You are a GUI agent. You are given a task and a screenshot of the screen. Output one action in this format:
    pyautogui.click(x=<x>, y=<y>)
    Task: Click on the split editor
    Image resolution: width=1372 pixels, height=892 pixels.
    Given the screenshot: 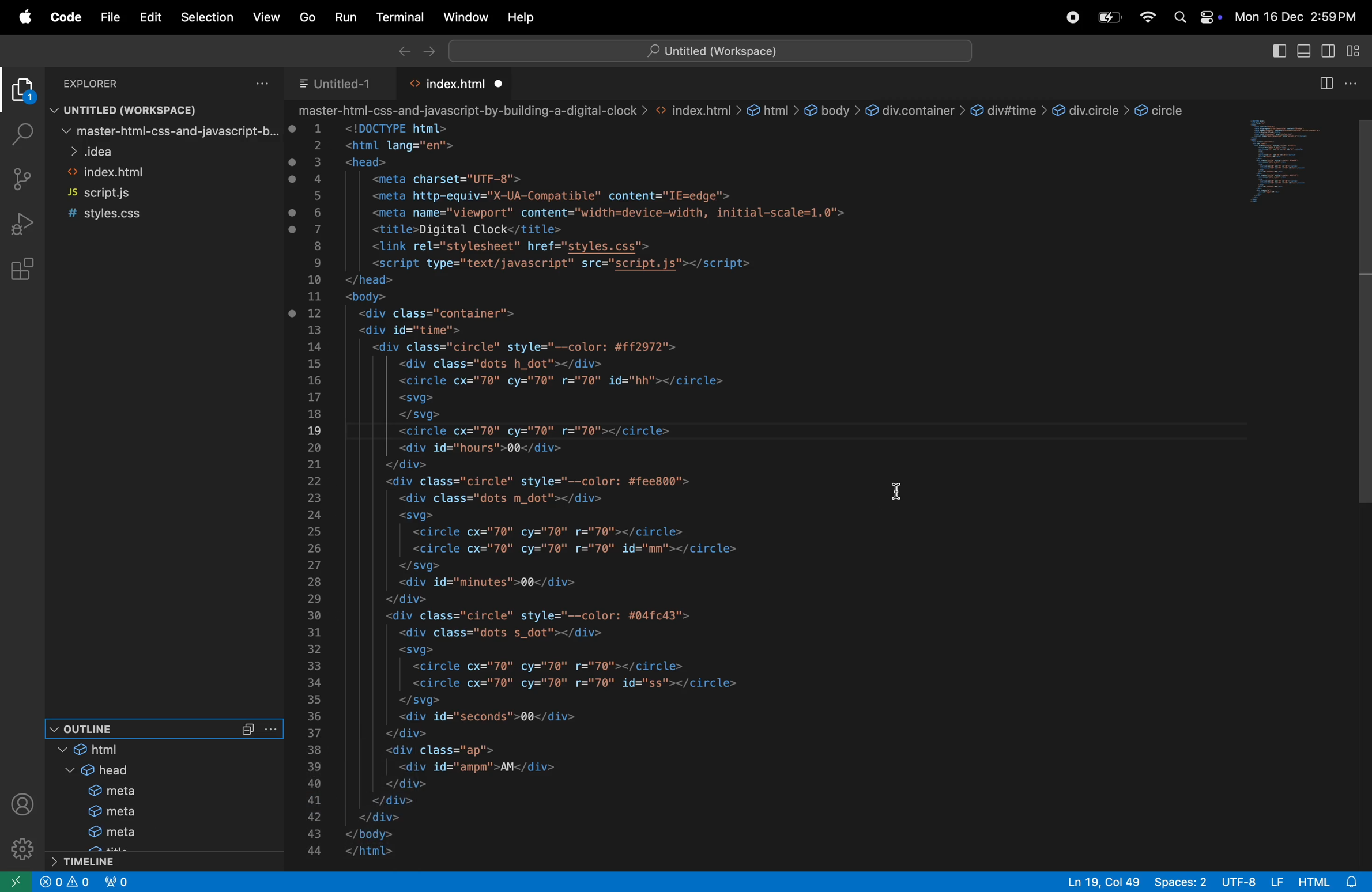 What is the action you would take?
    pyautogui.click(x=1324, y=84)
    